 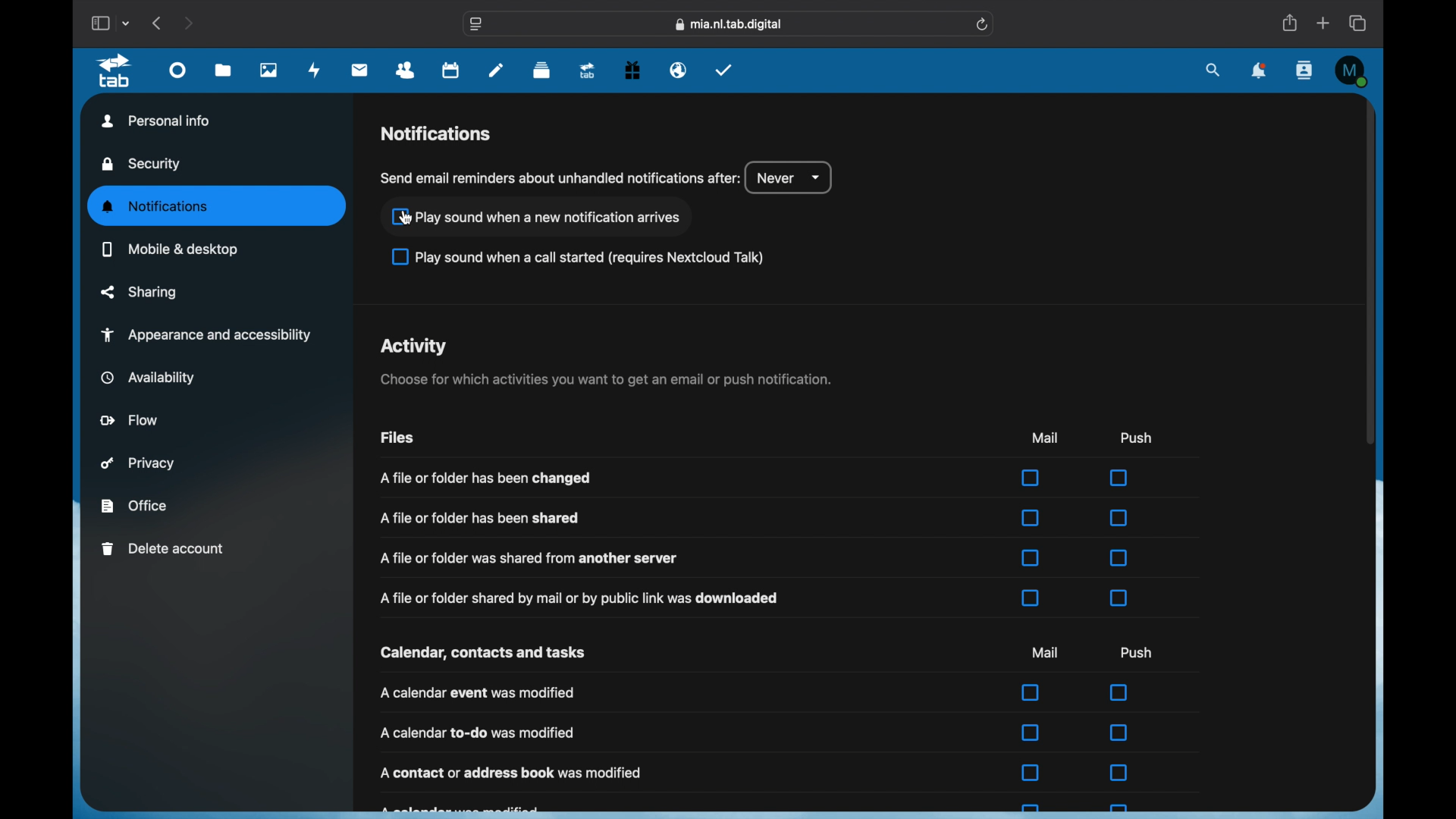 I want to click on previous, so click(x=158, y=23).